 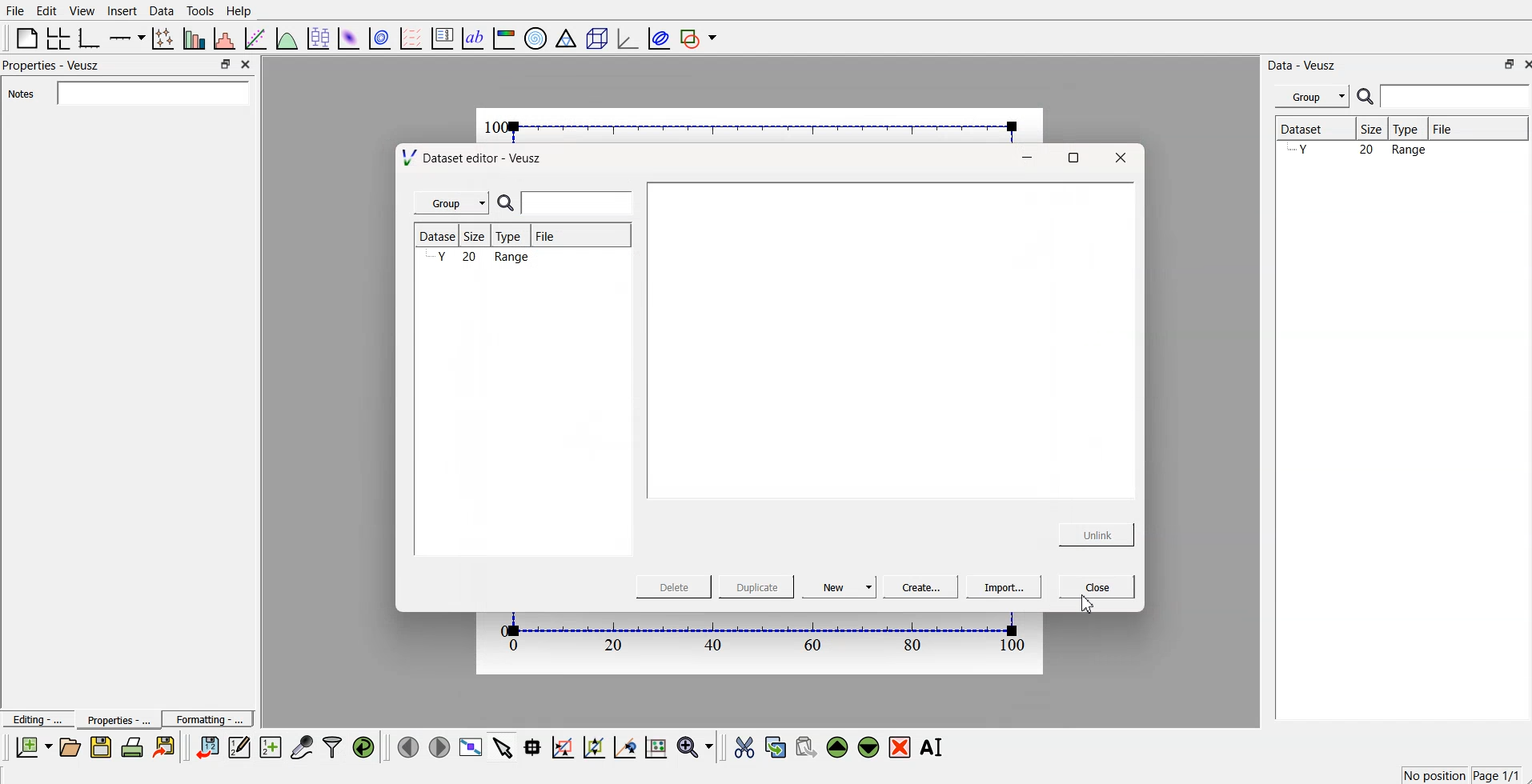 I want to click on Export to graphics format, so click(x=167, y=748).